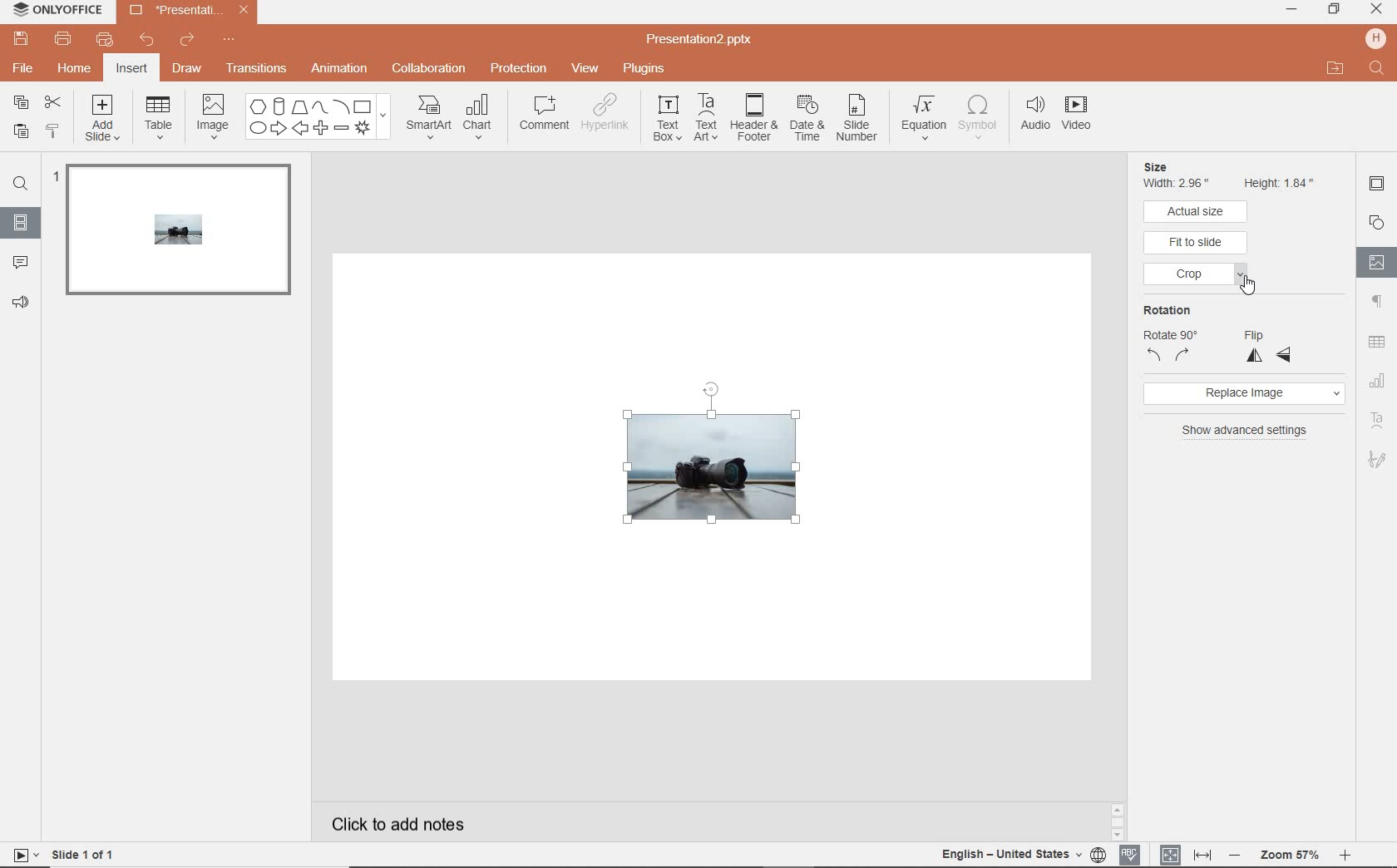  Describe the element at coordinates (545, 116) in the screenshot. I see `comment` at that location.